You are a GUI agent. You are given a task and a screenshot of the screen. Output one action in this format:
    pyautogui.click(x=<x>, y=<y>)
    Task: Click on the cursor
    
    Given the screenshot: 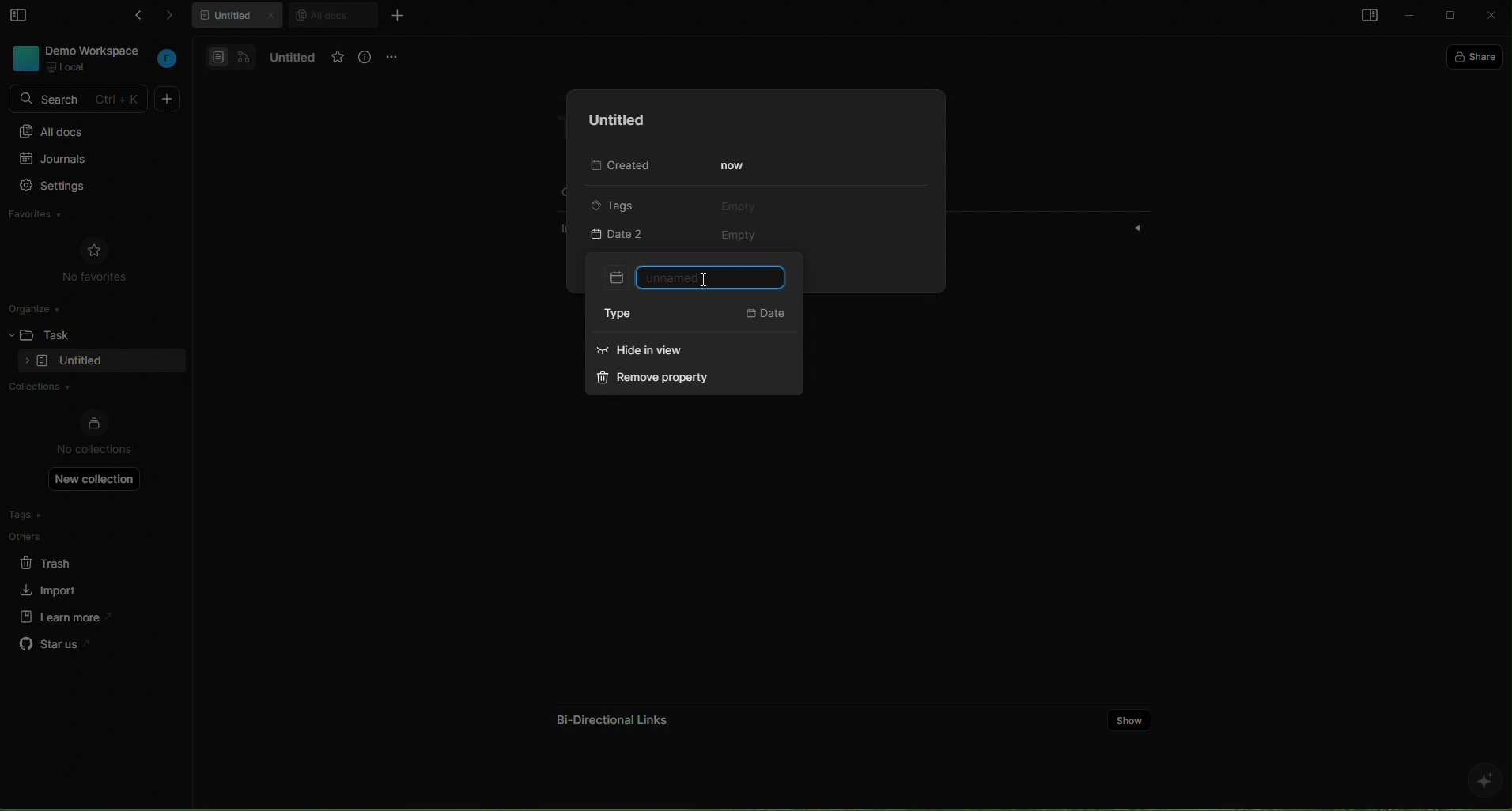 What is the action you would take?
    pyautogui.click(x=704, y=279)
    